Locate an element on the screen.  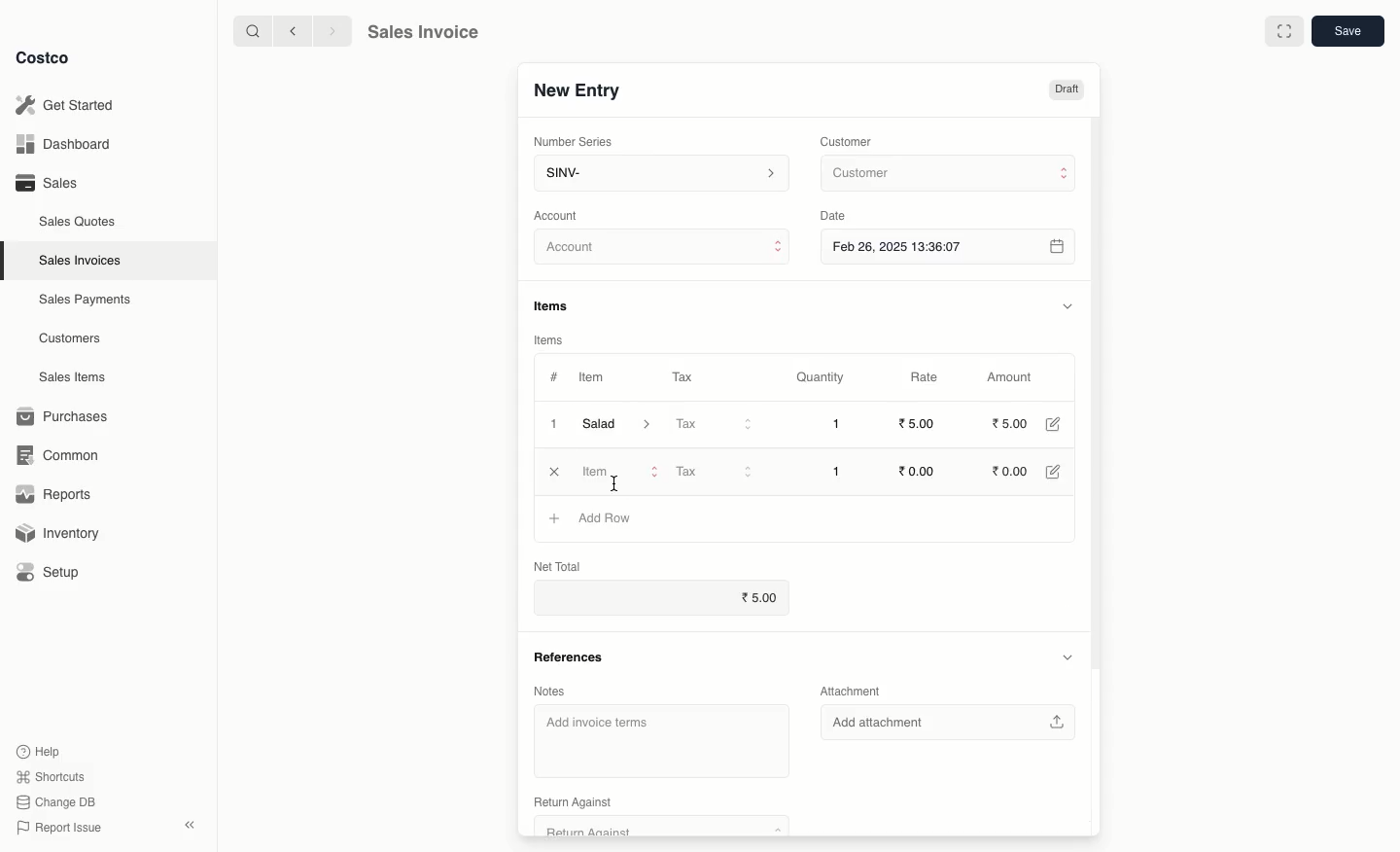
Tax is located at coordinates (714, 425).